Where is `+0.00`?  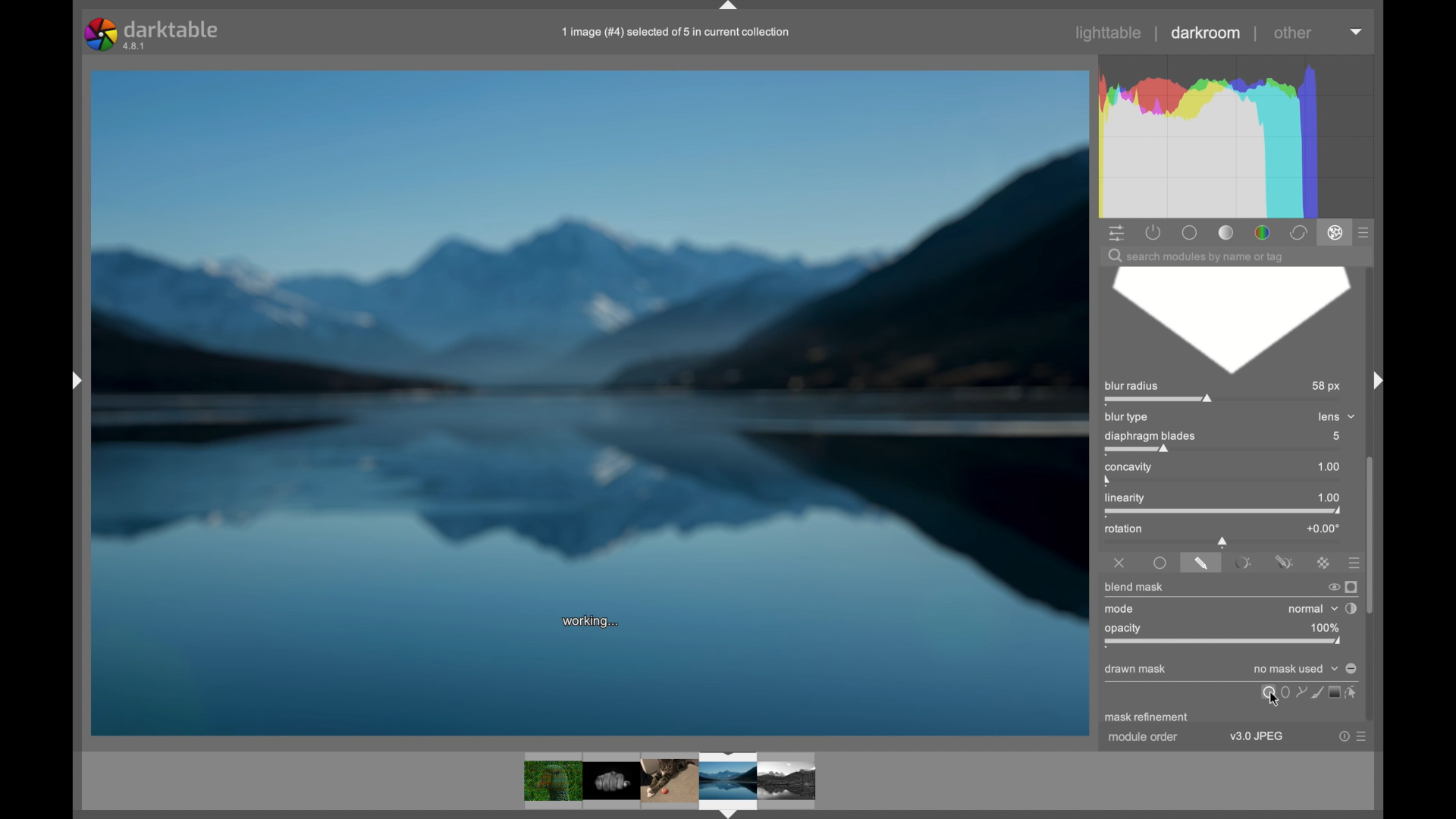 +0.00 is located at coordinates (1323, 527).